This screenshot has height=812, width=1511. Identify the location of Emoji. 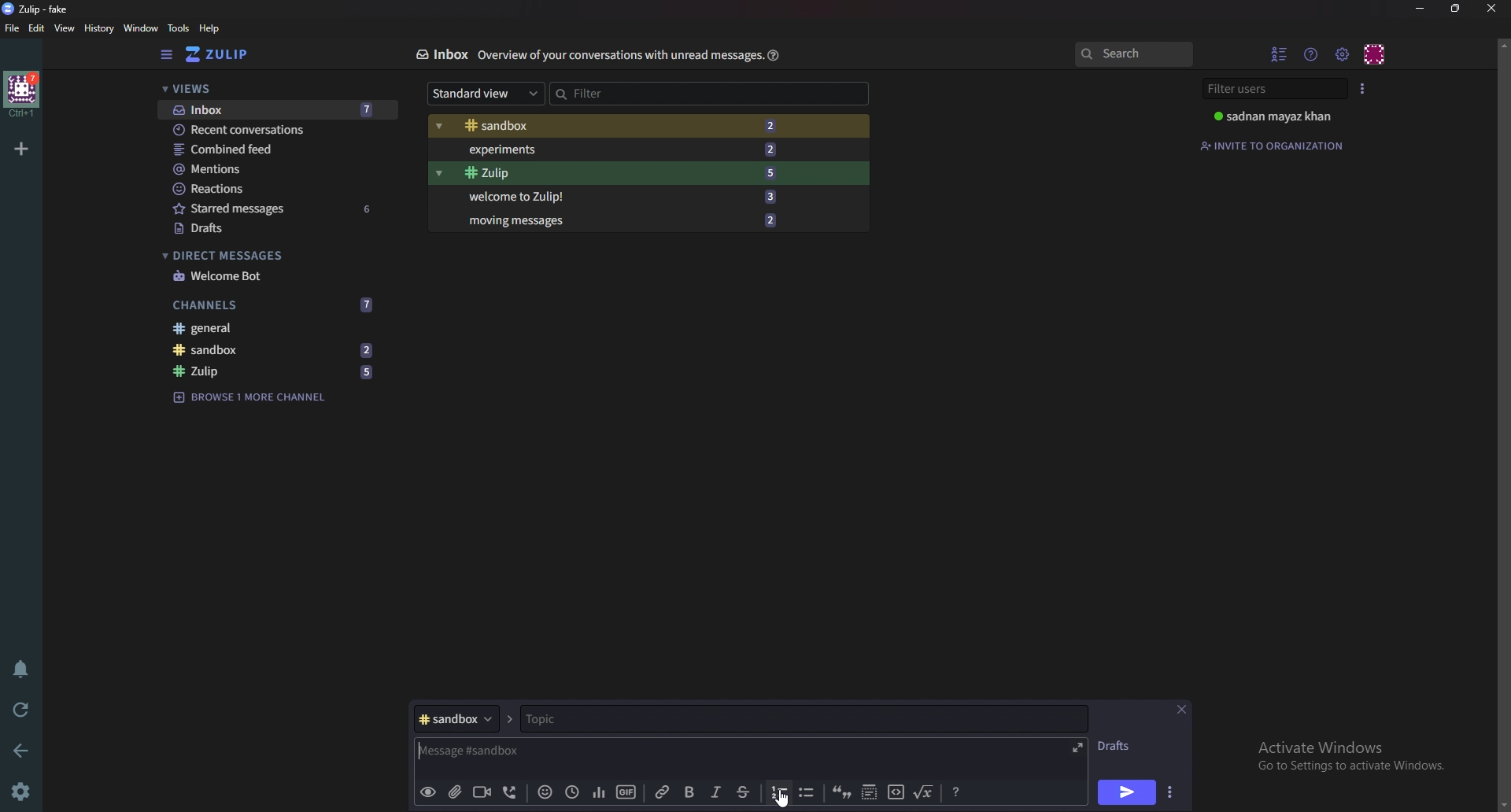
(542, 793).